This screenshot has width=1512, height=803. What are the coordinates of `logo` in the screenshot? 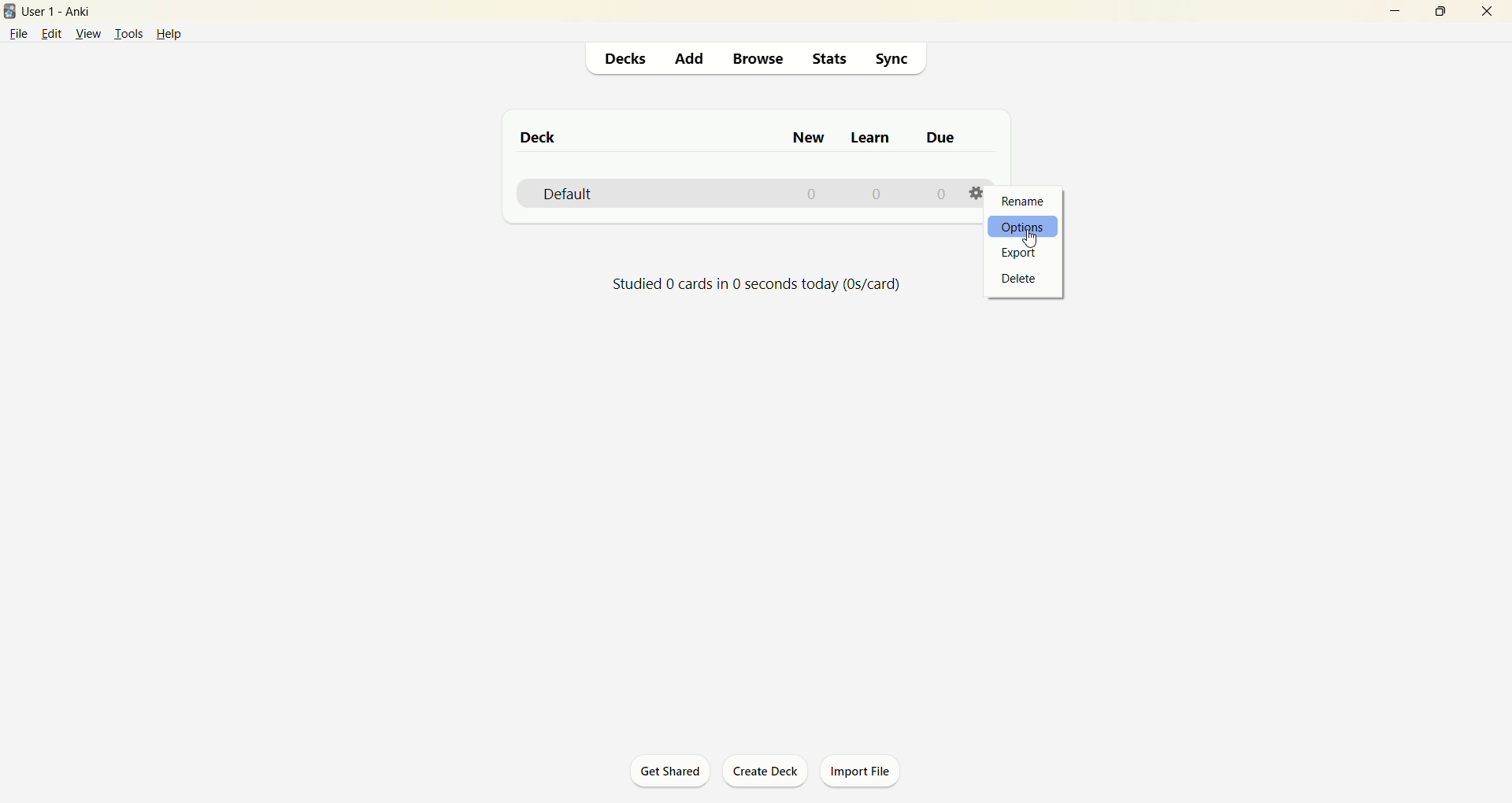 It's located at (11, 12).